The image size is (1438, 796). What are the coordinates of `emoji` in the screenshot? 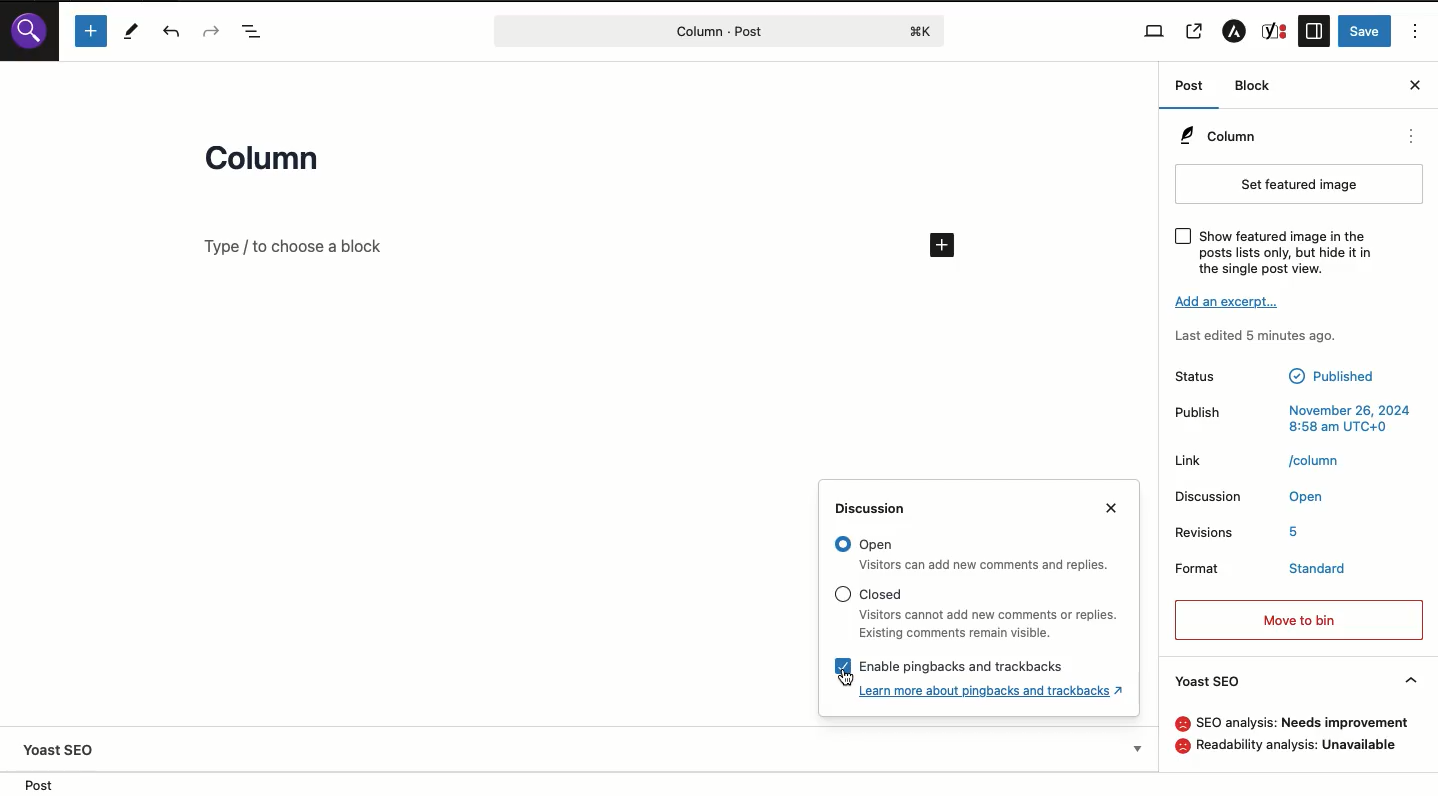 It's located at (1182, 746).